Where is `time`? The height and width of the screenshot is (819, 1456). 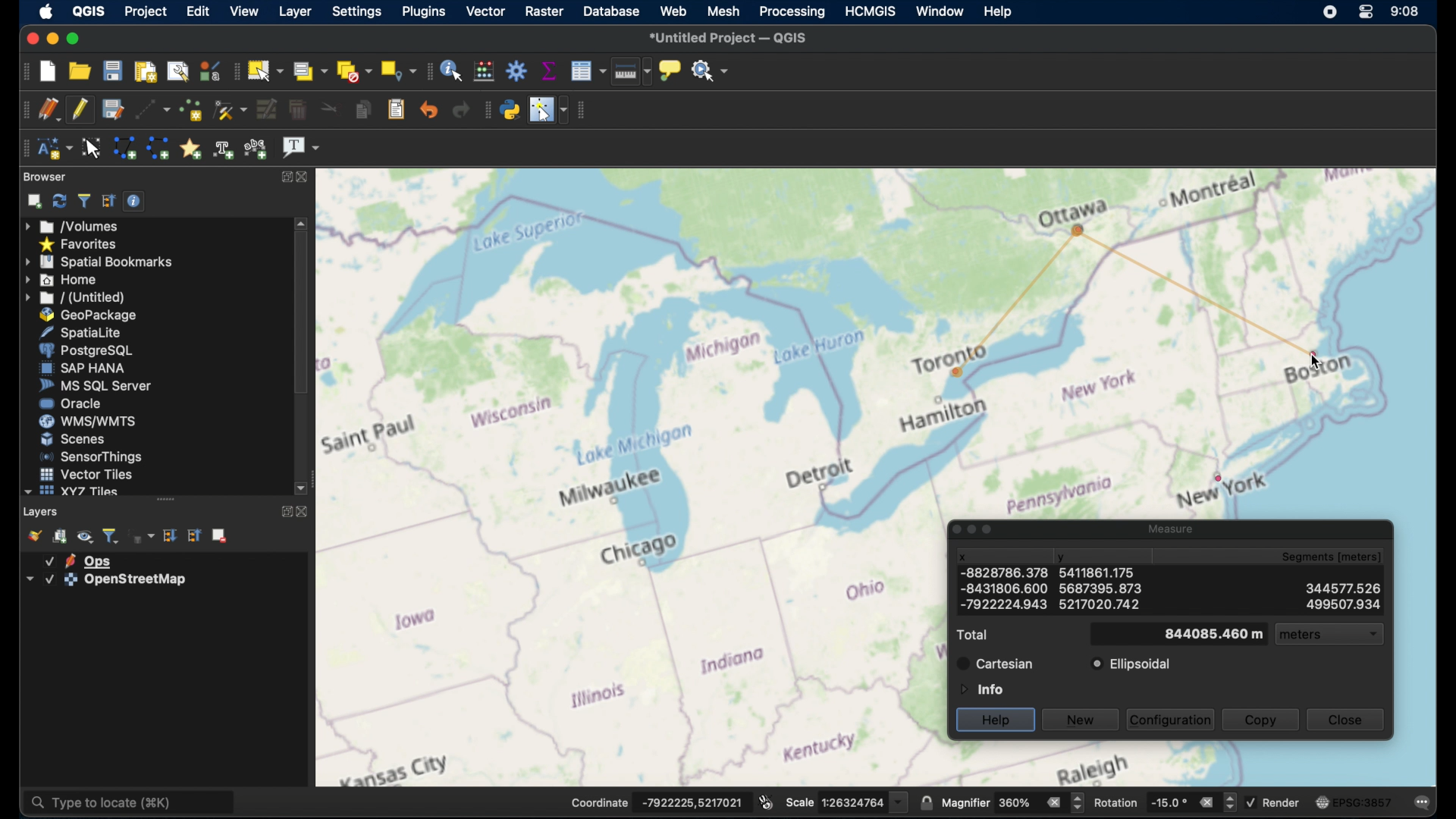 time is located at coordinates (1405, 11).